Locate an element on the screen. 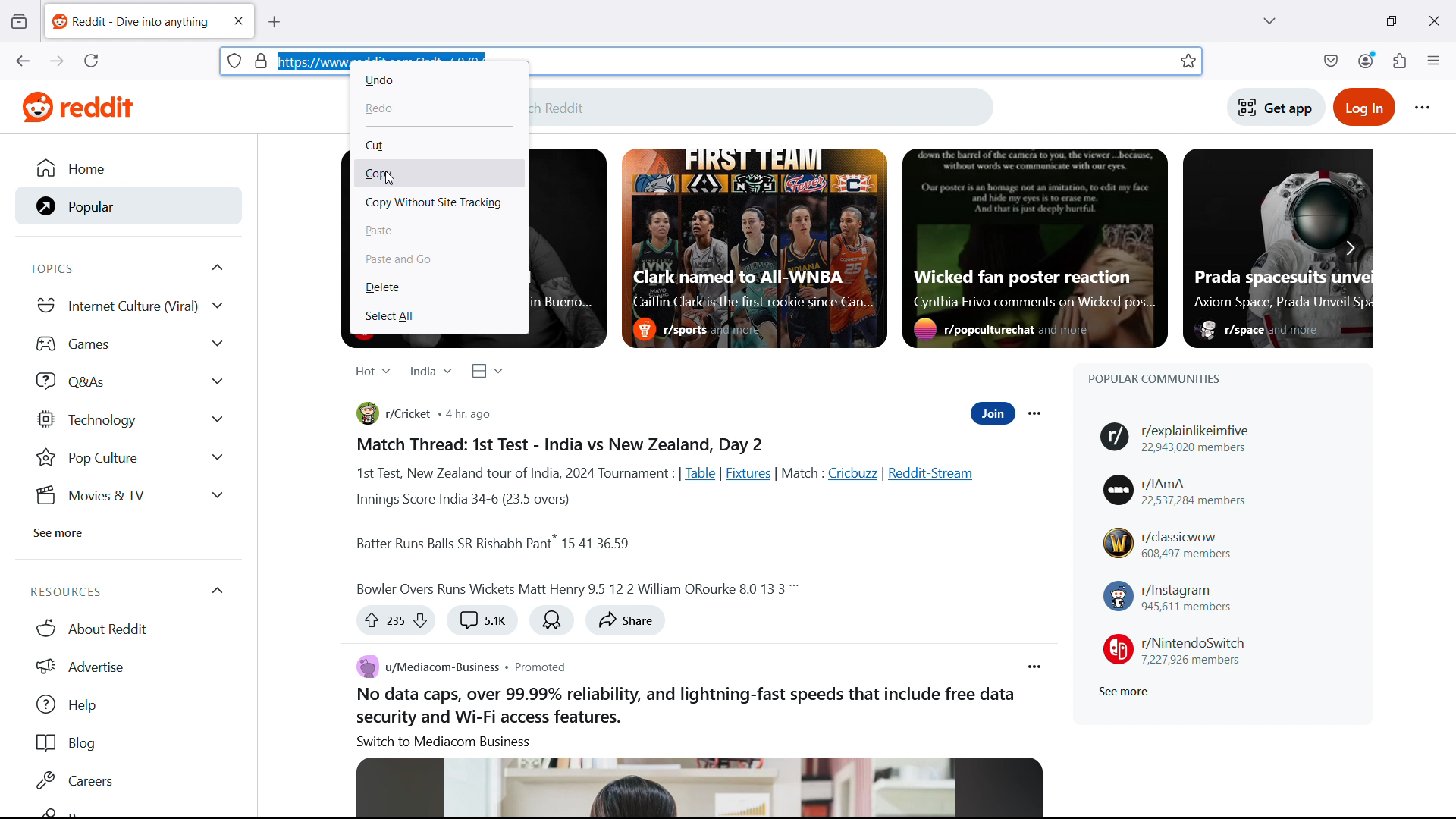 The height and width of the screenshot is (819, 1456). games is located at coordinates (131, 342).